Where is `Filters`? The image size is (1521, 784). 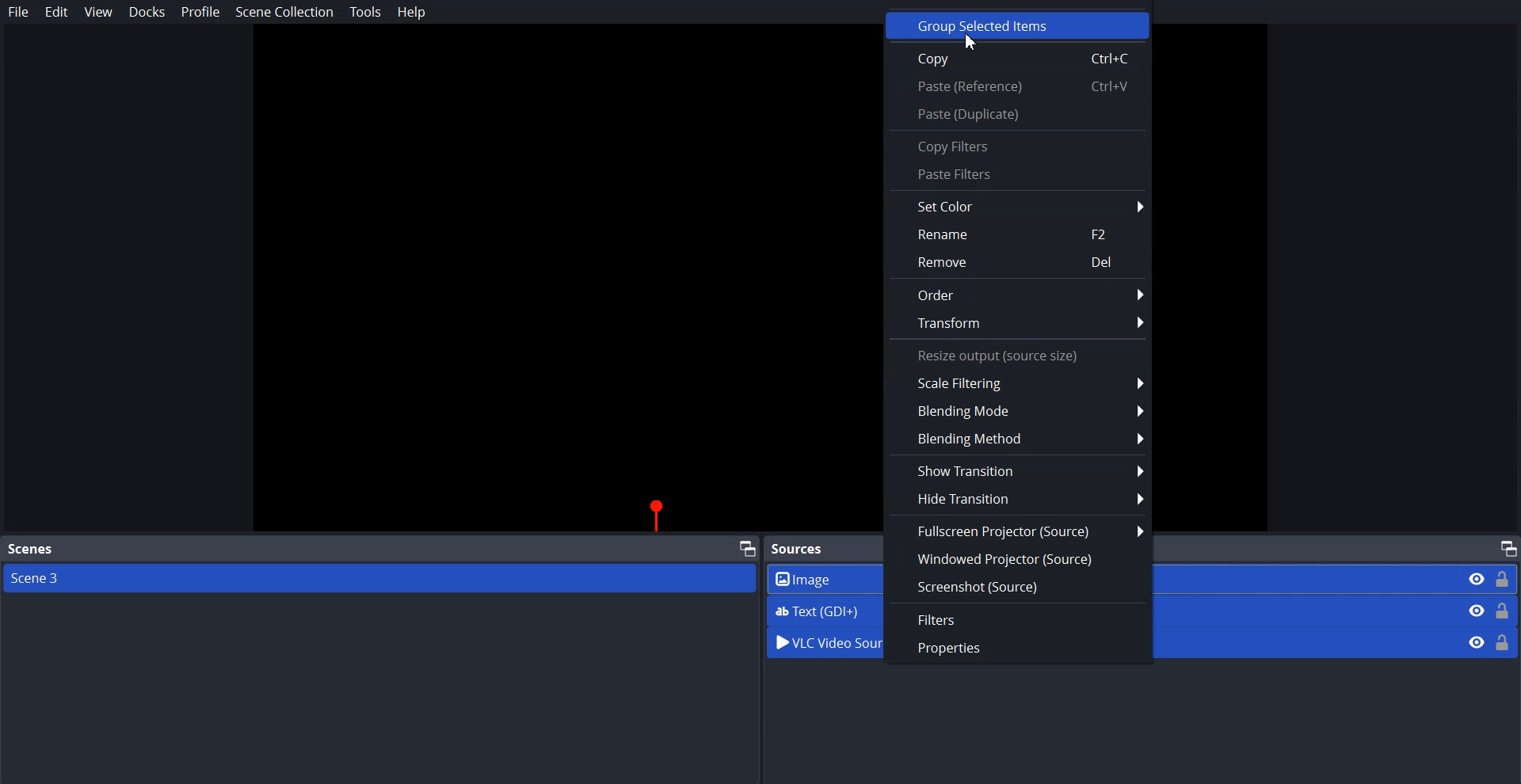
Filters is located at coordinates (1016, 621).